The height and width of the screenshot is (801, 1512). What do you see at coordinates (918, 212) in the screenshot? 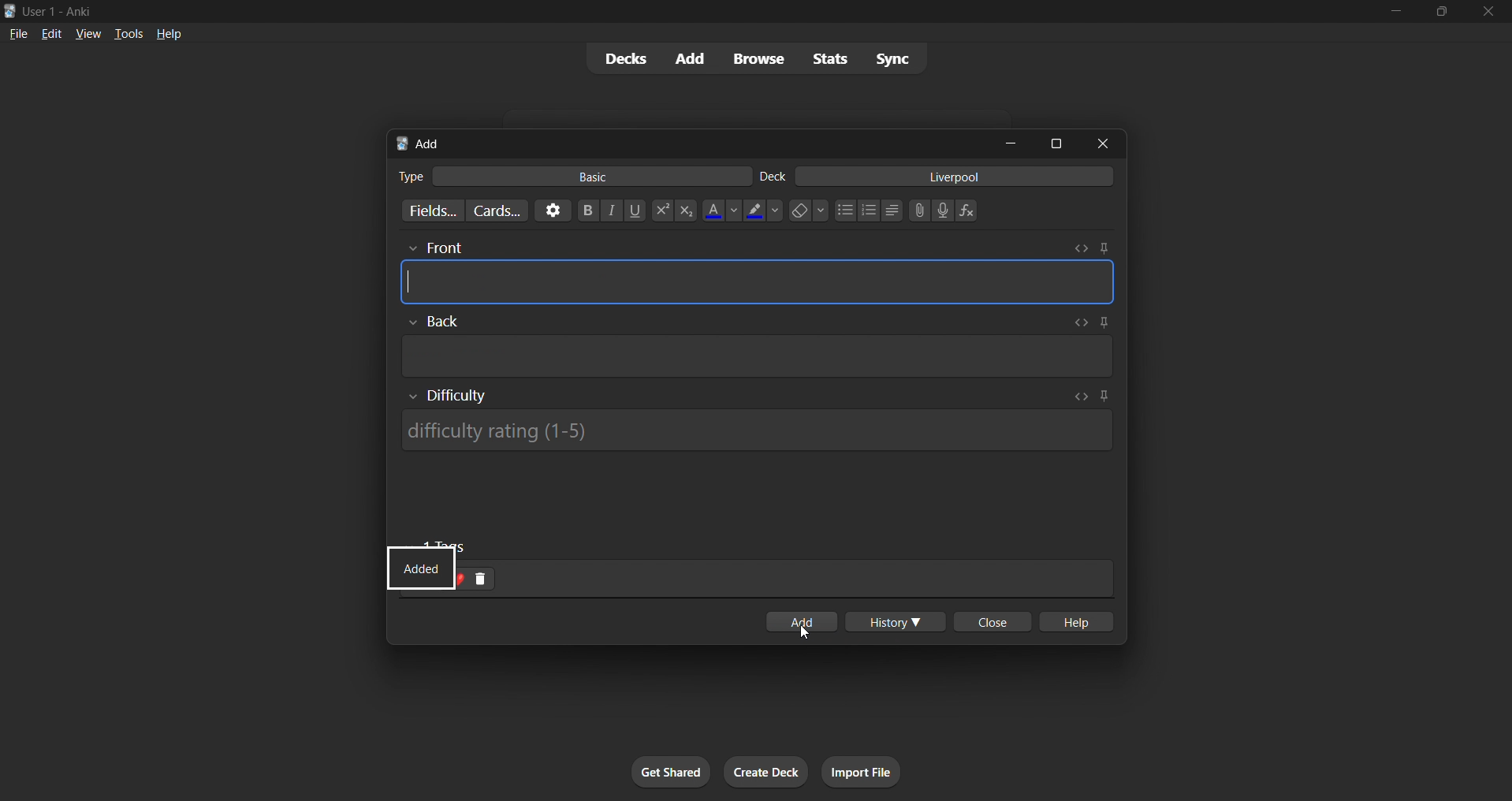
I see `link` at bounding box center [918, 212].